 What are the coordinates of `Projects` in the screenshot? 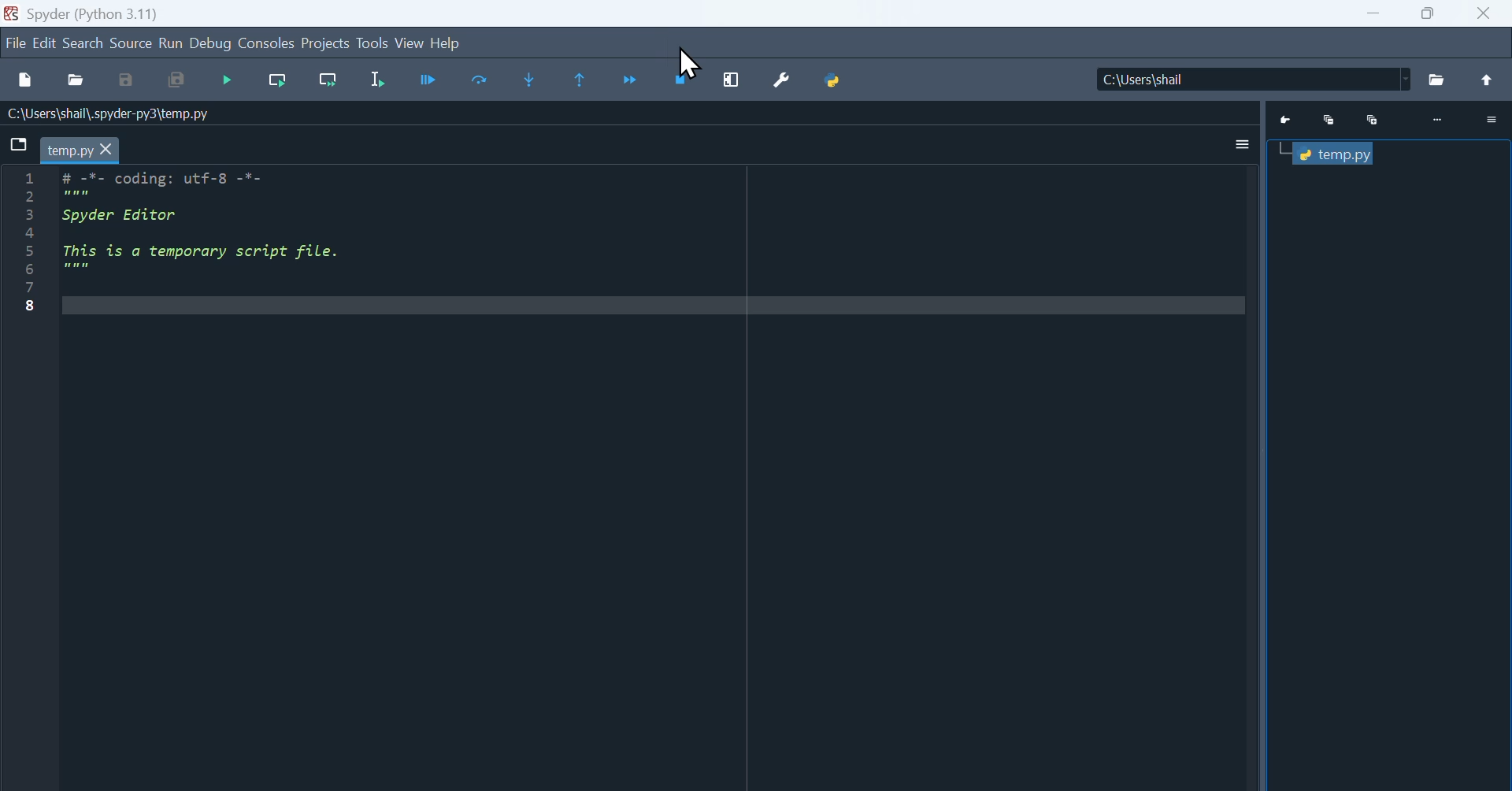 It's located at (324, 43).